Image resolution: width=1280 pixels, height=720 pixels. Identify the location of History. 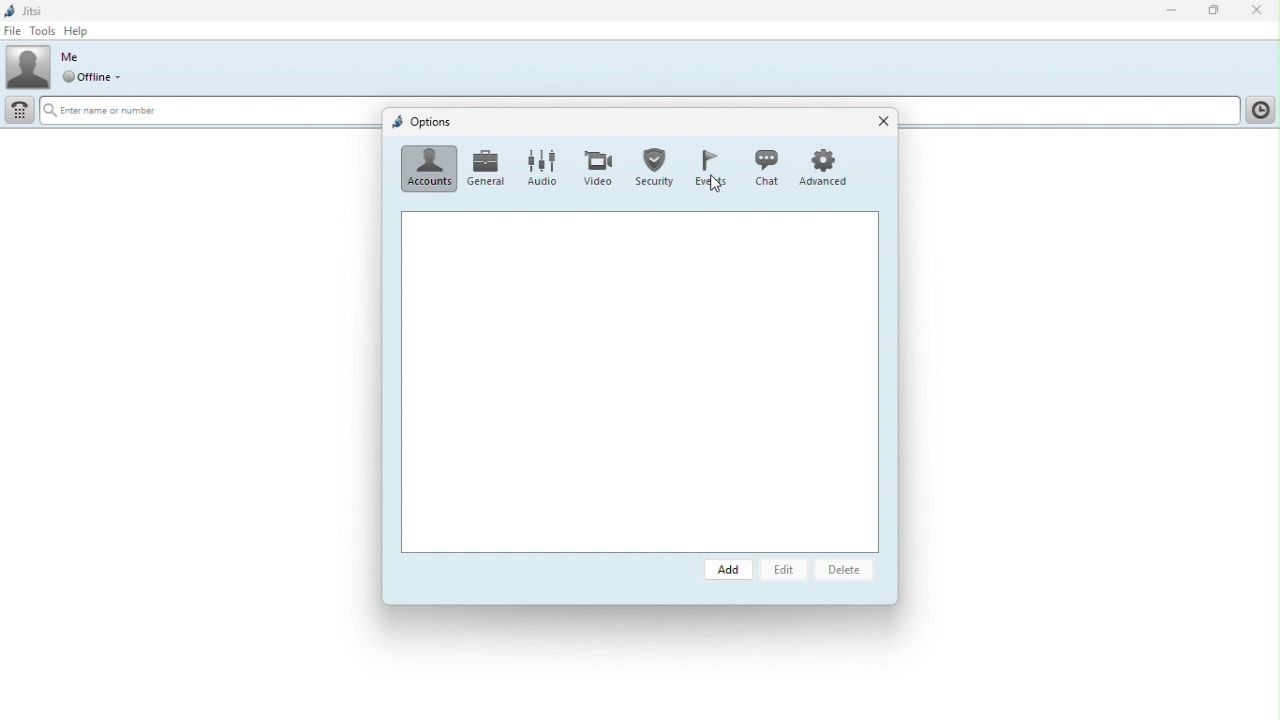
(1259, 110).